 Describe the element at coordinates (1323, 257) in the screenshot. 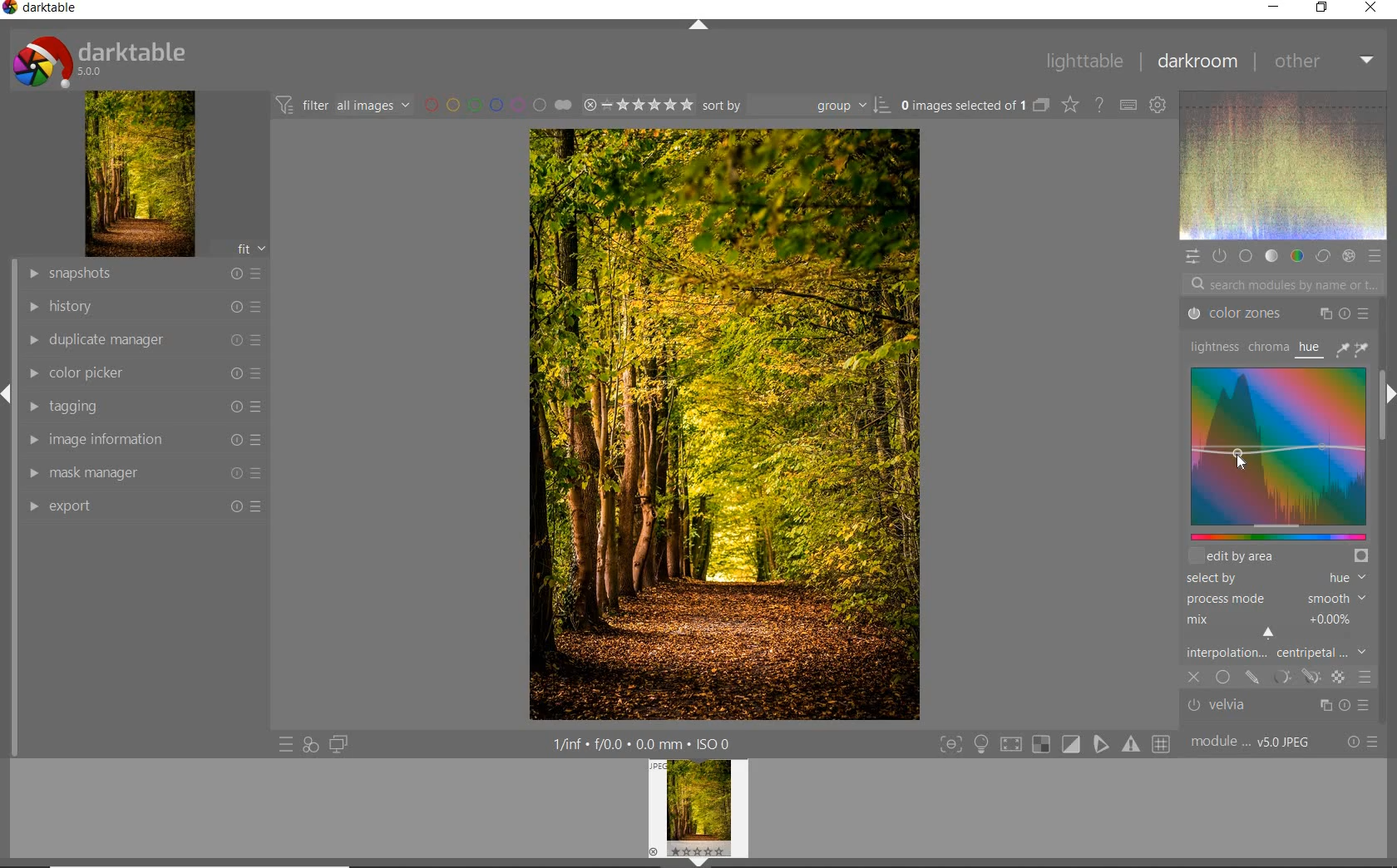

I see `CORRECT` at that location.